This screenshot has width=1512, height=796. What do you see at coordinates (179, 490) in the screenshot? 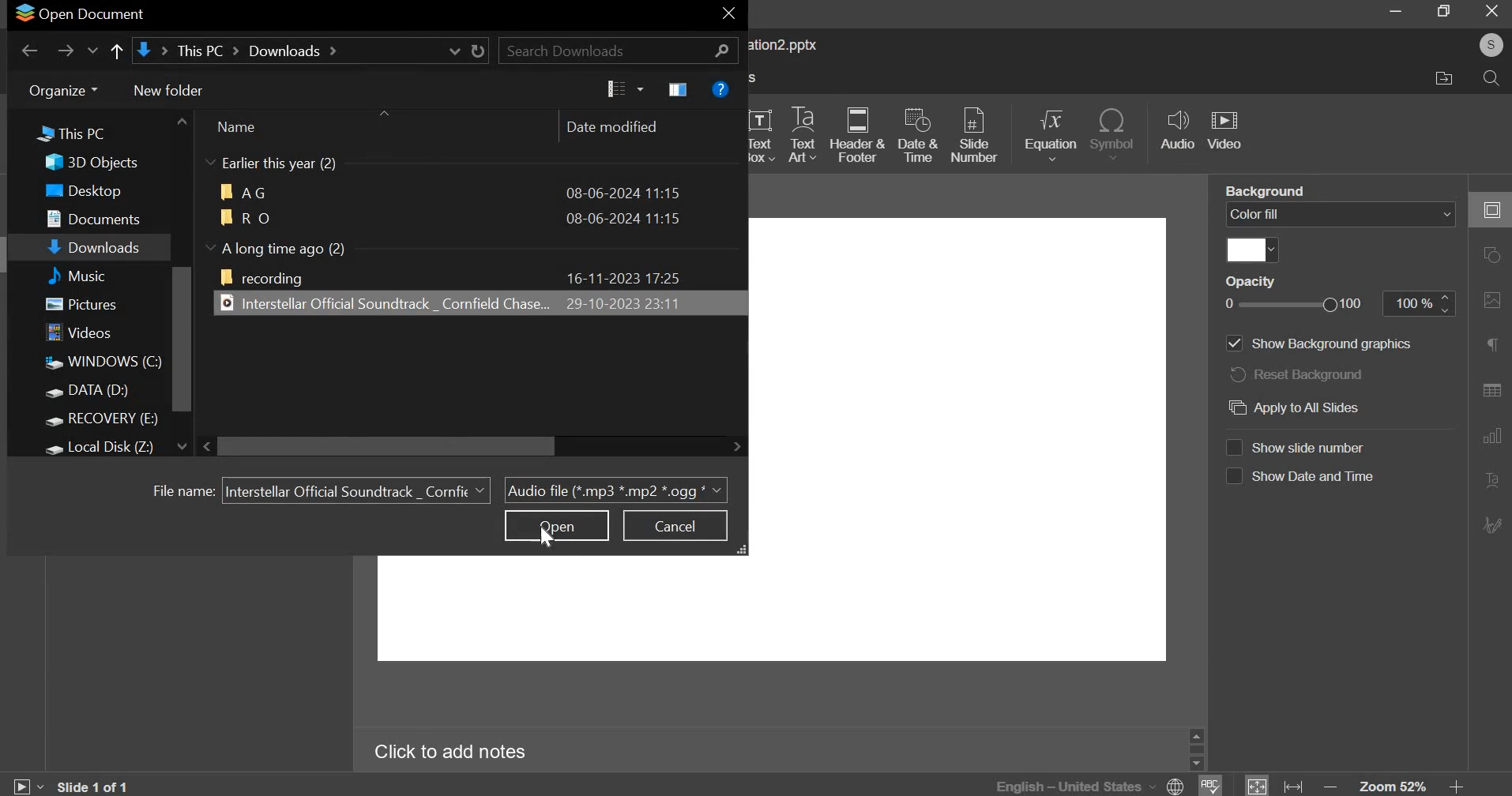
I see `file name` at bounding box center [179, 490].